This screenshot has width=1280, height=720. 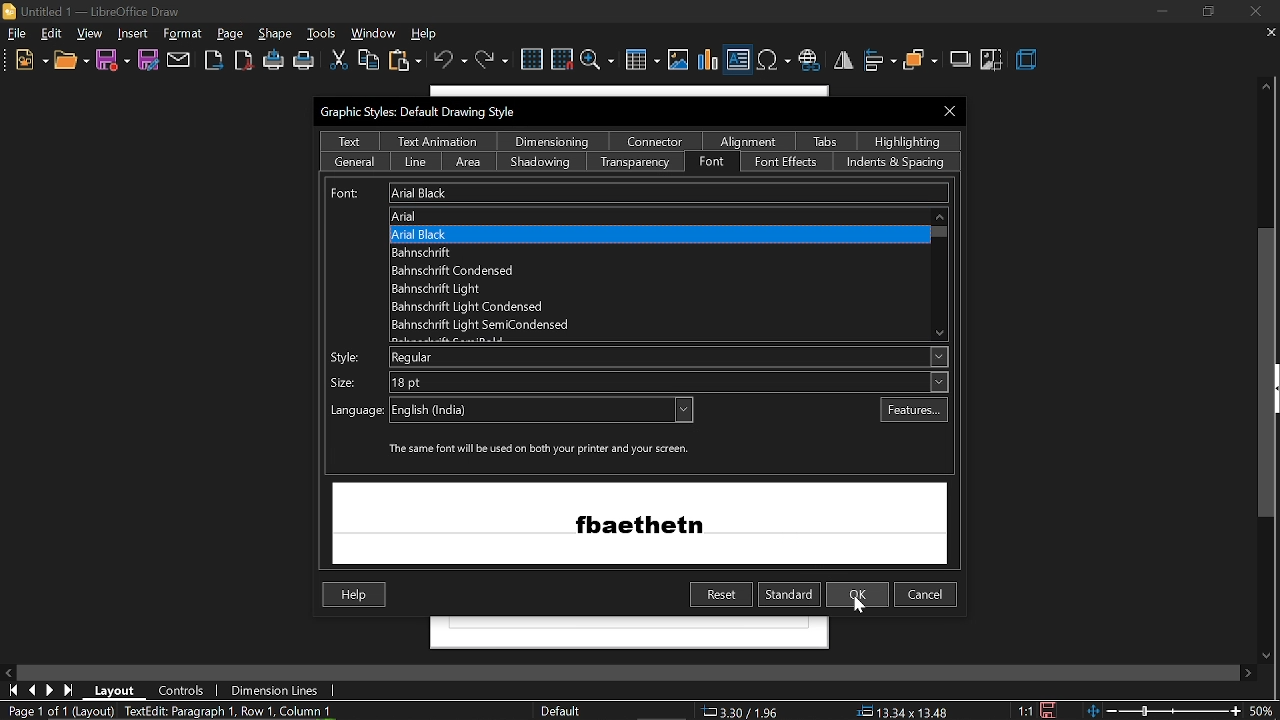 What do you see at coordinates (90, 33) in the screenshot?
I see `view` at bounding box center [90, 33].